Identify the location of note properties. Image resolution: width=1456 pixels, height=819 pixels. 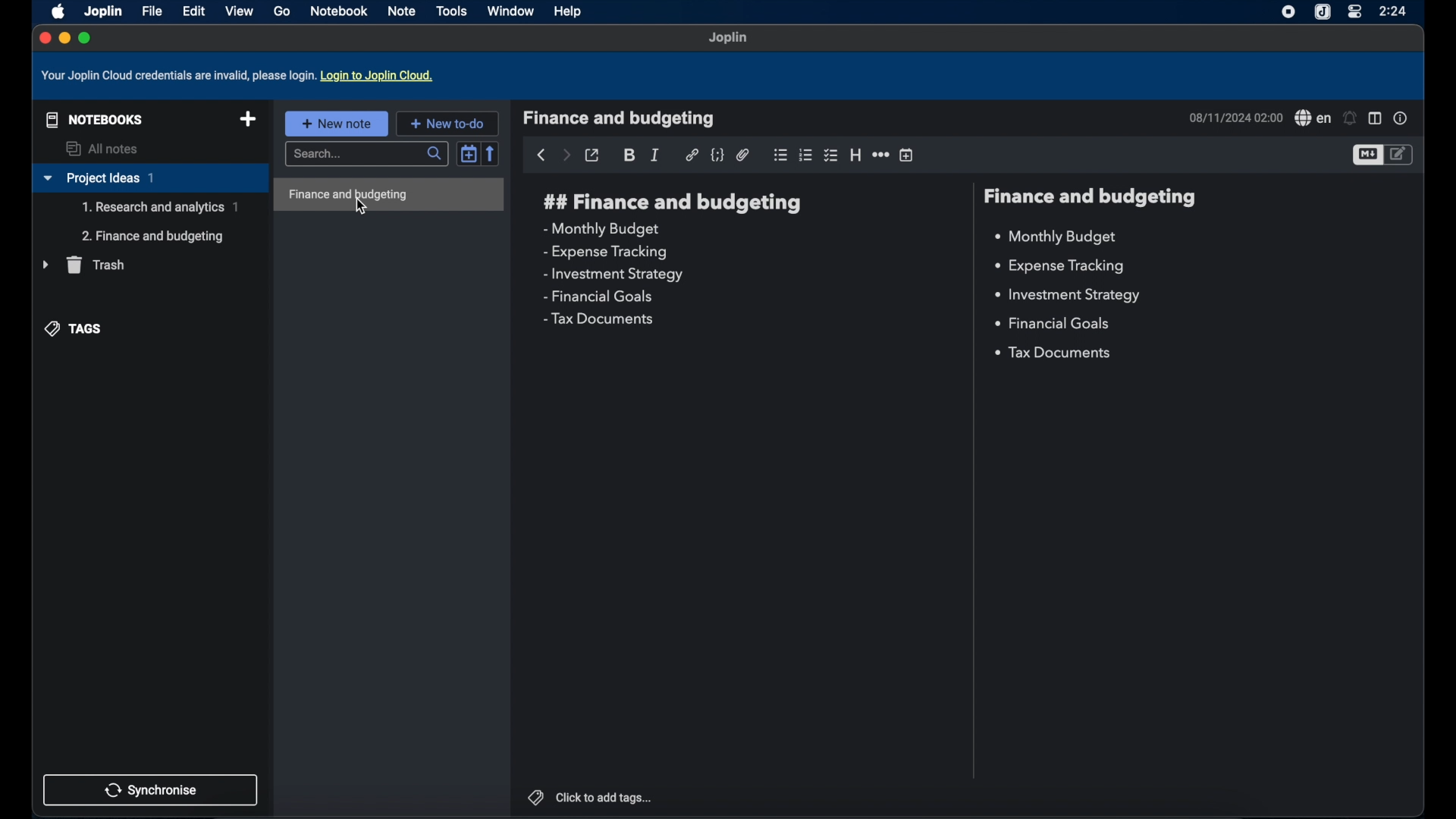
(1401, 118).